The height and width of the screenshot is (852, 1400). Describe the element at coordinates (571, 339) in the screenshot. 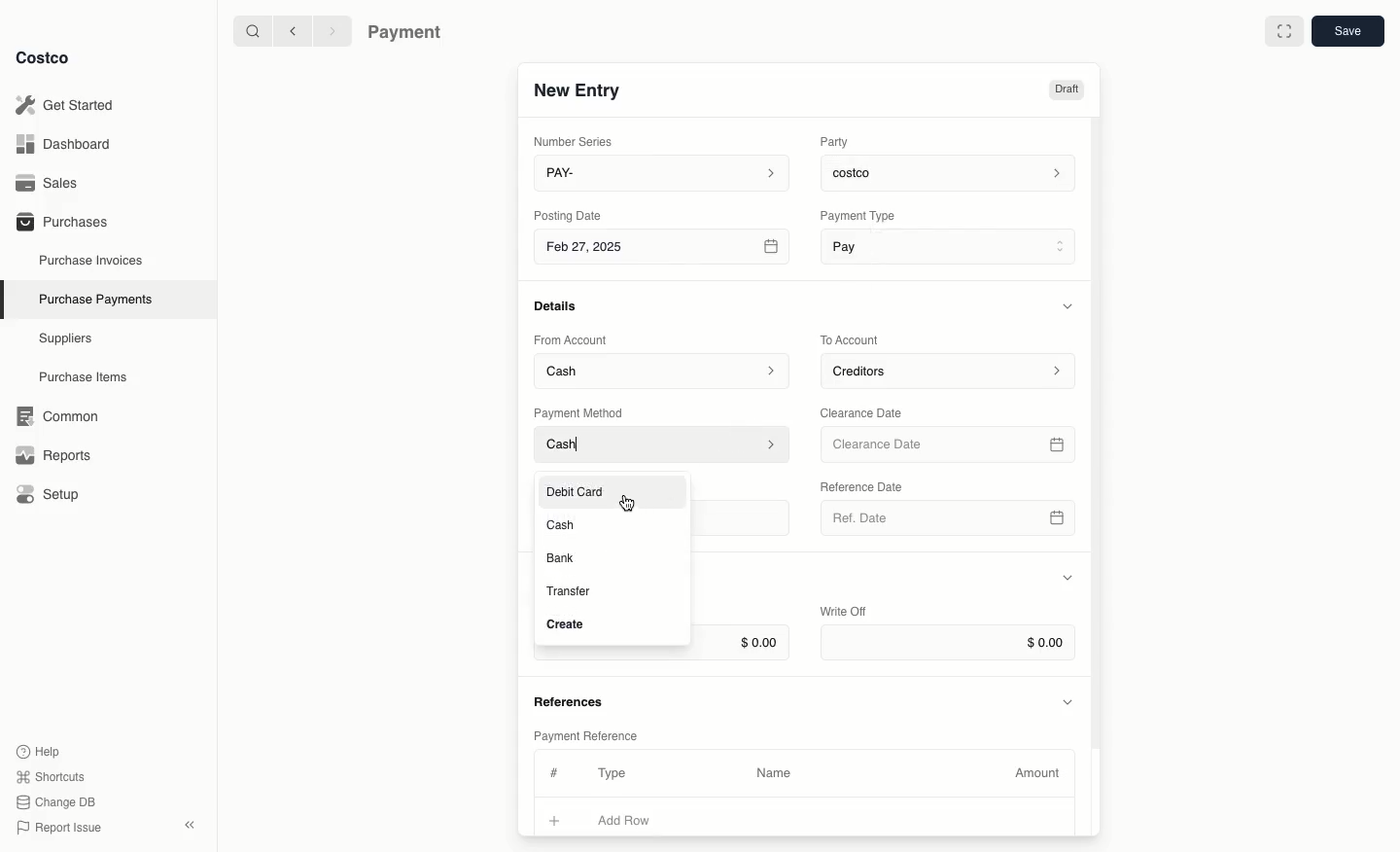

I see `From Account` at that location.